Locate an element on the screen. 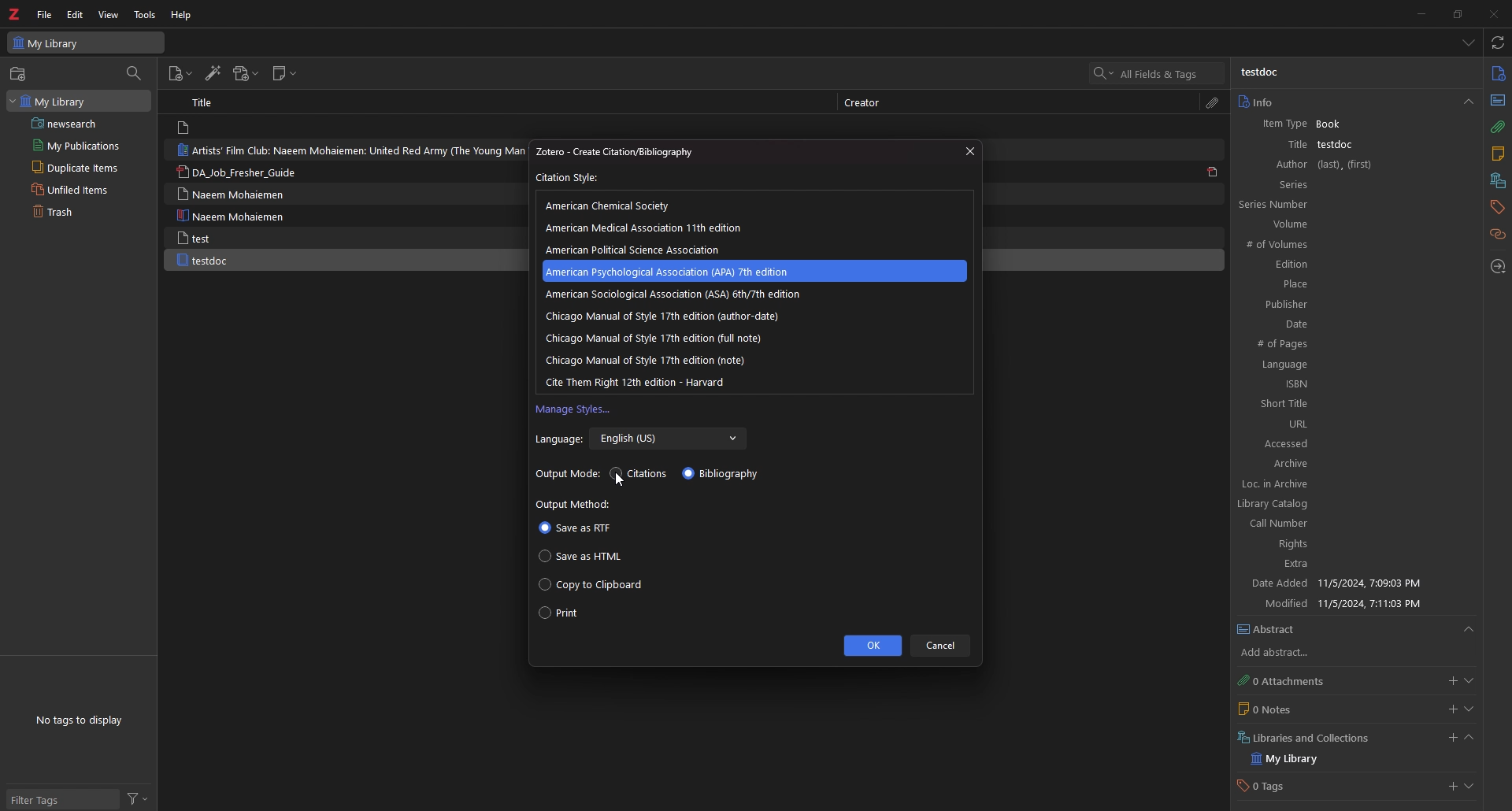 The image size is (1512, 811). Edition is located at coordinates (1344, 265).